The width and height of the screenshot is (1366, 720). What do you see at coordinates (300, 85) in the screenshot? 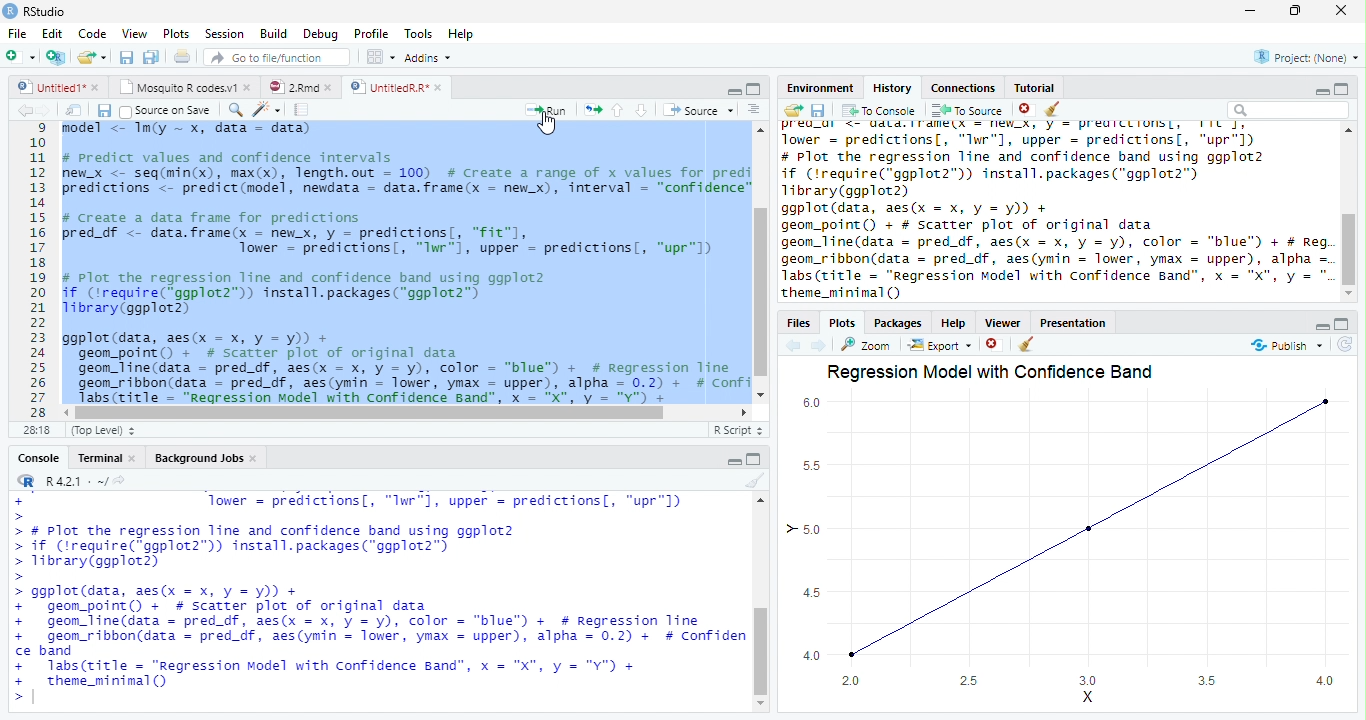
I see `2 Rmd` at bounding box center [300, 85].